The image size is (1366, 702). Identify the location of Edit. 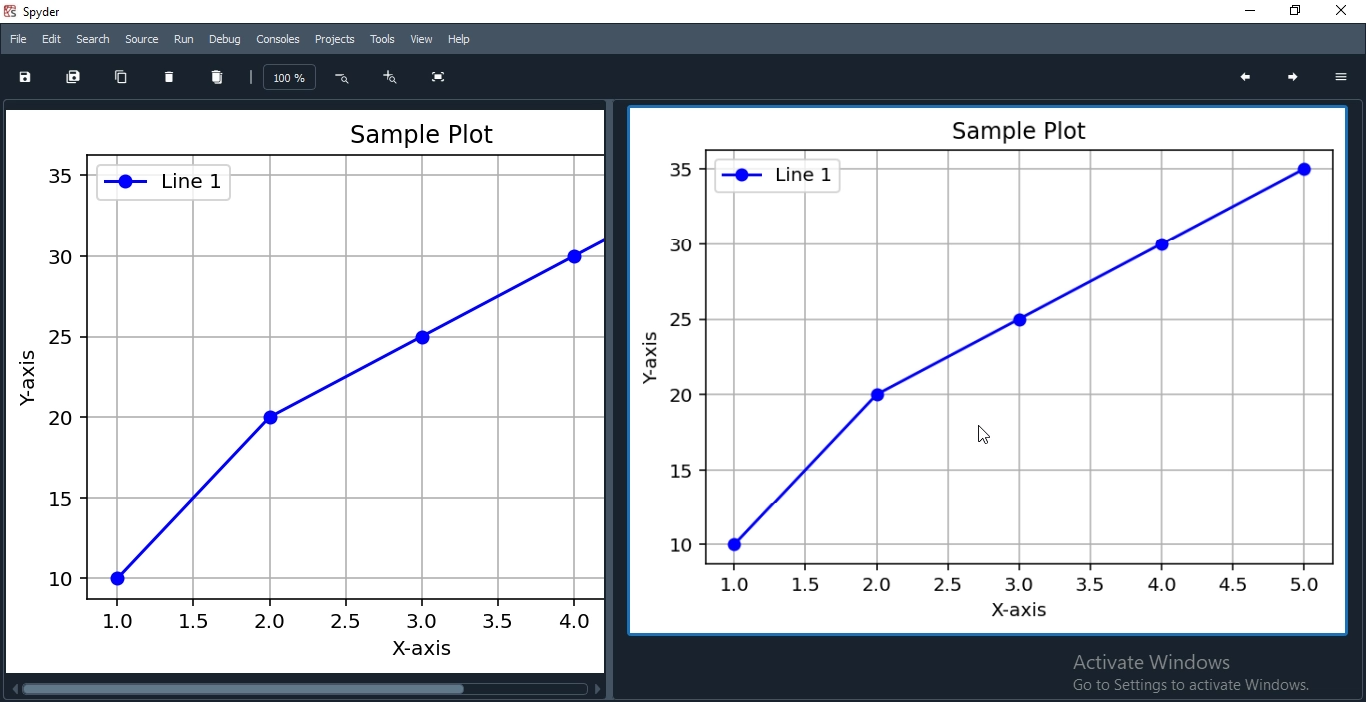
(49, 39).